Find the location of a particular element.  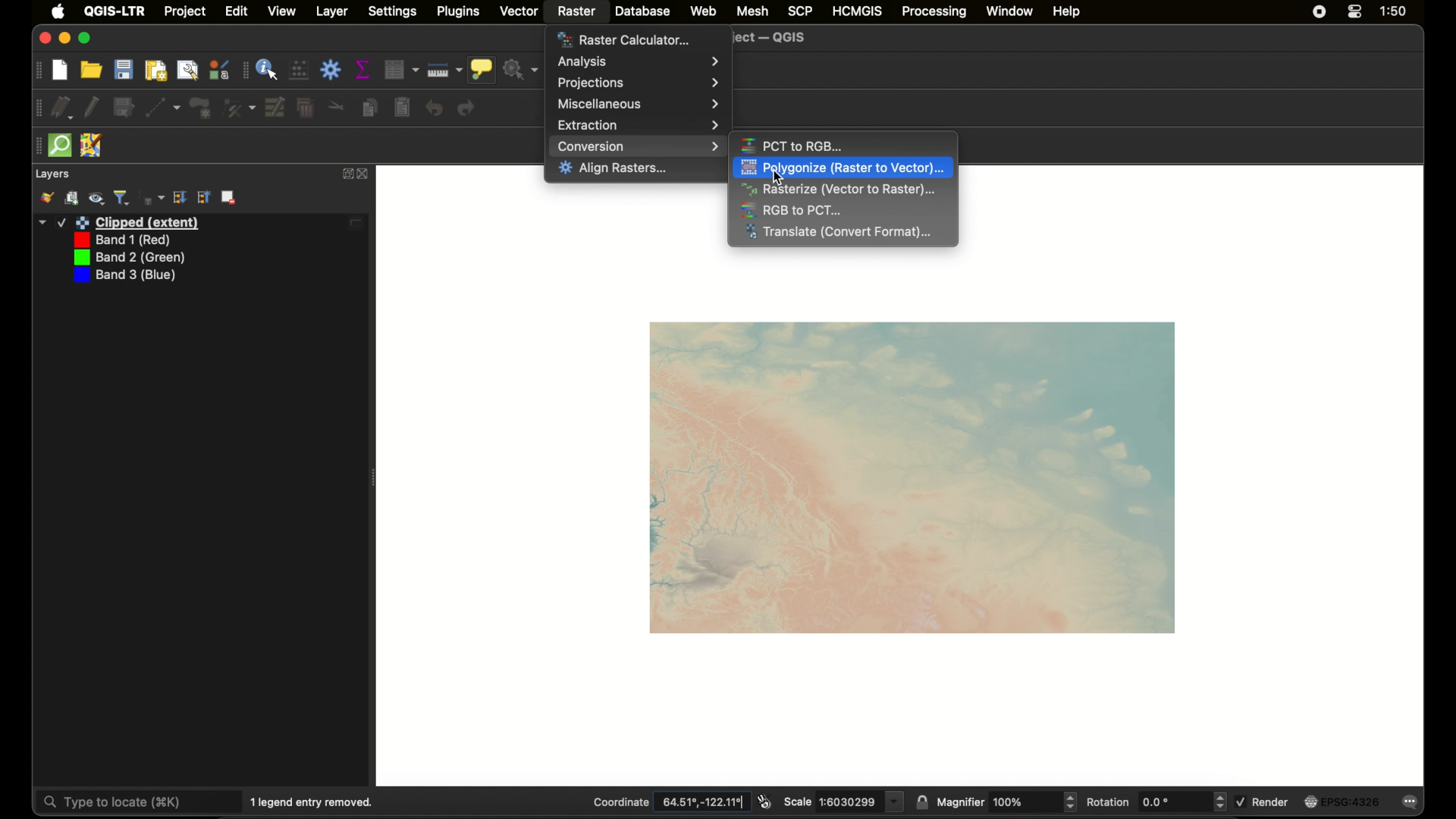

cursor is located at coordinates (779, 178).